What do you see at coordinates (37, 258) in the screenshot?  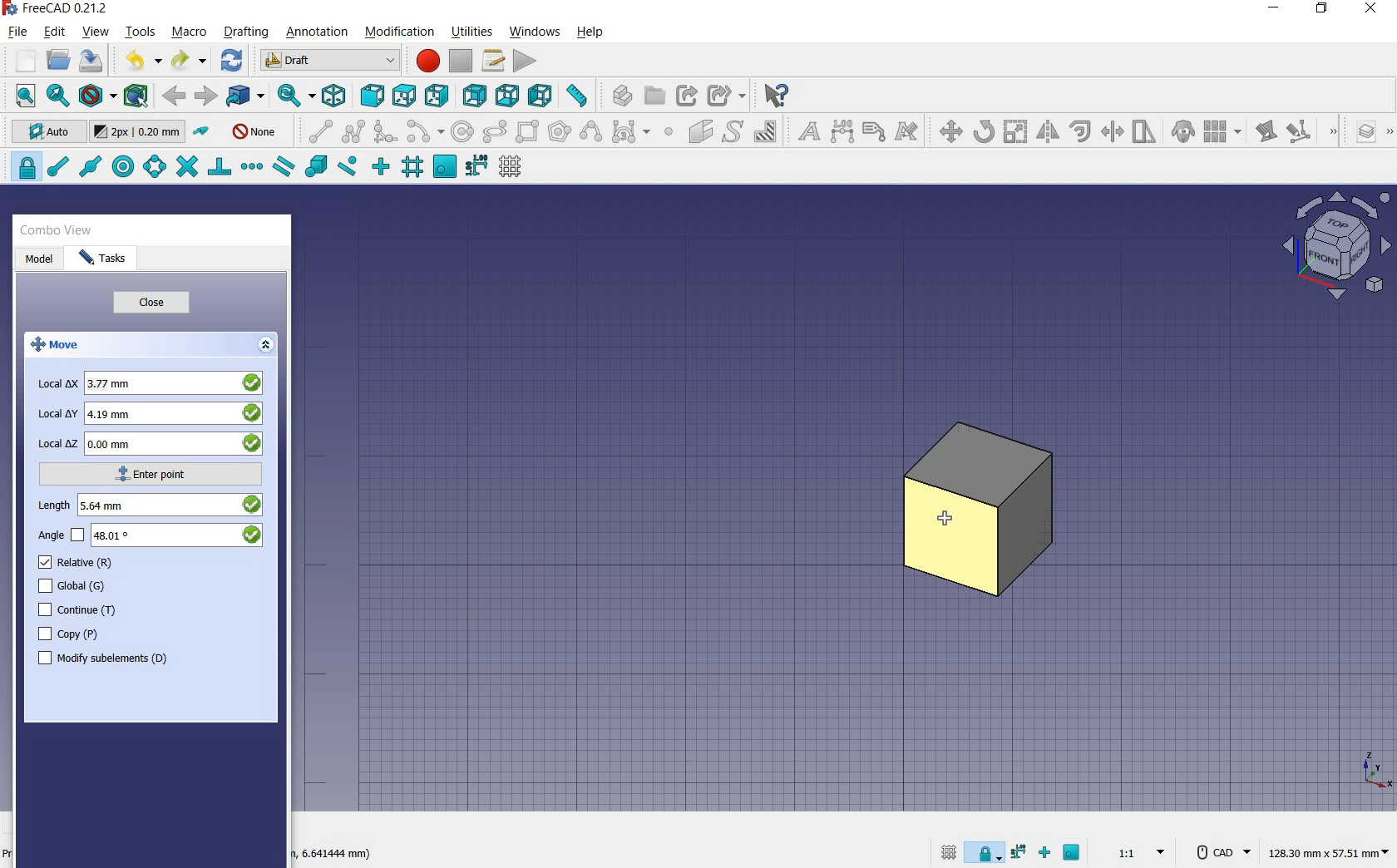 I see `model` at bounding box center [37, 258].